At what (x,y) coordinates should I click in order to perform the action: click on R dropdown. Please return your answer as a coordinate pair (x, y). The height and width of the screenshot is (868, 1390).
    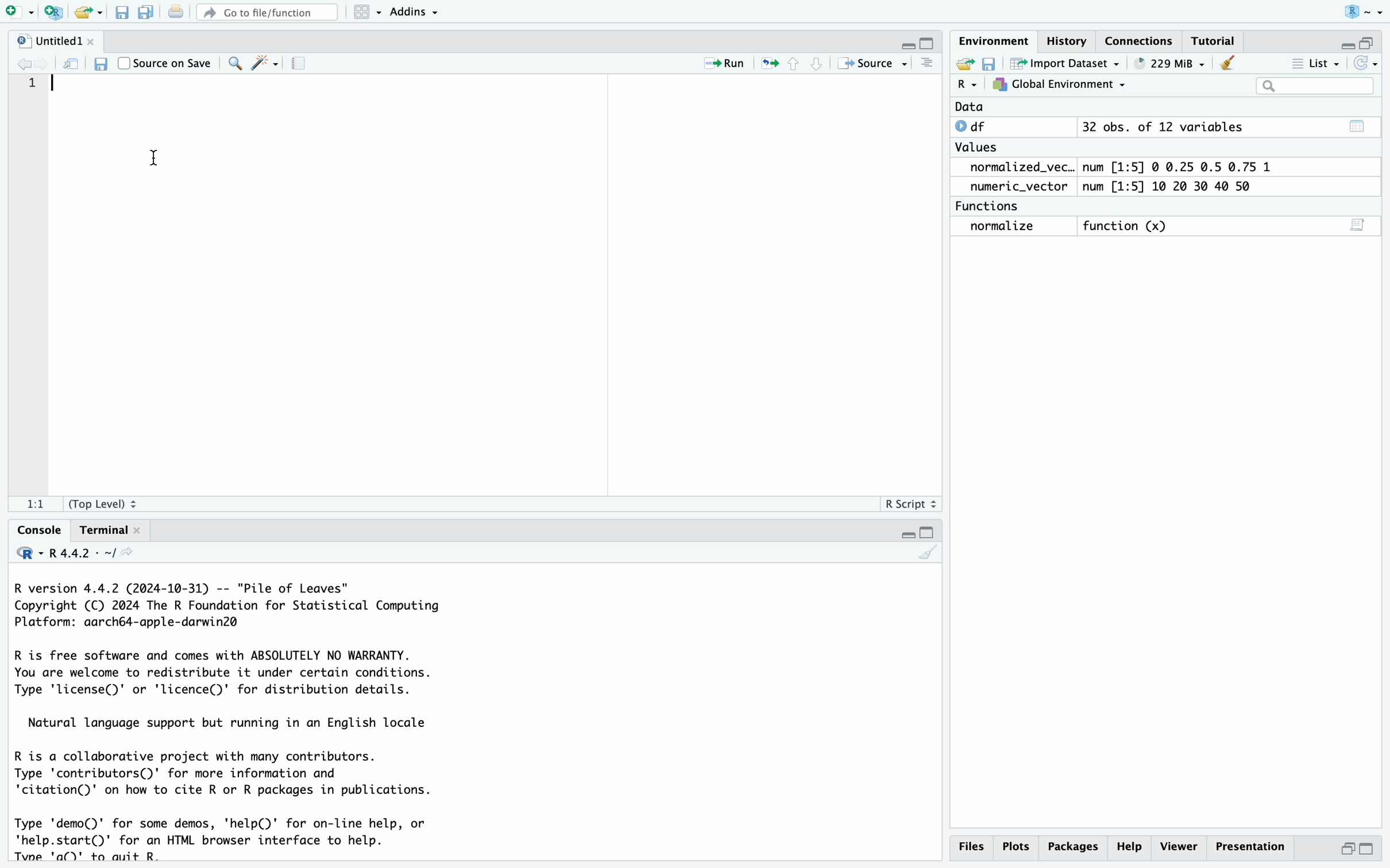
    Looking at the image, I should click on (1368, 11).